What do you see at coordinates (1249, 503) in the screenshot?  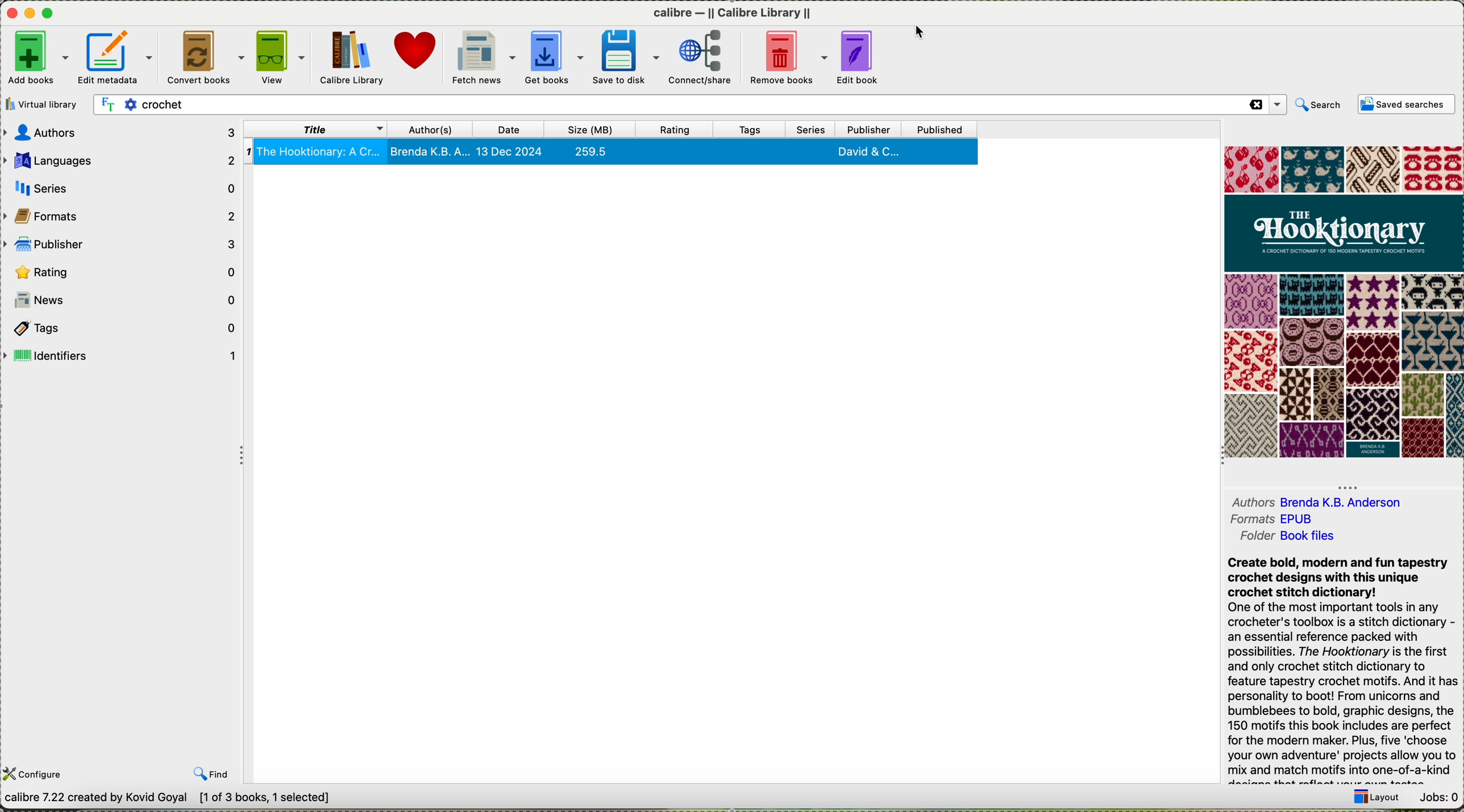 I see `authors` at bounding box center [1249, 503].